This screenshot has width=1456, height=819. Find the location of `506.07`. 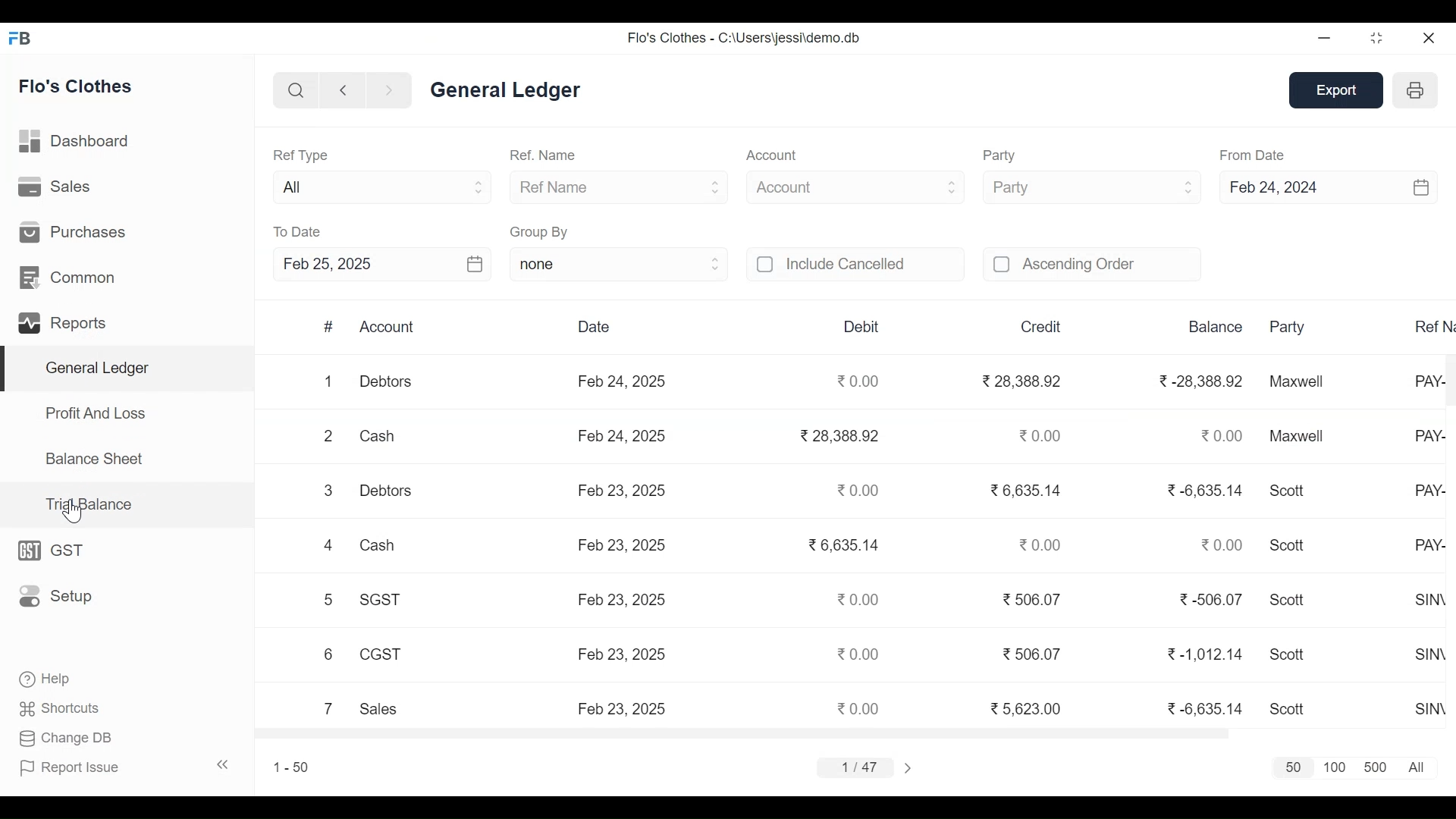

506.07 is located at coordinates (1033, 653).